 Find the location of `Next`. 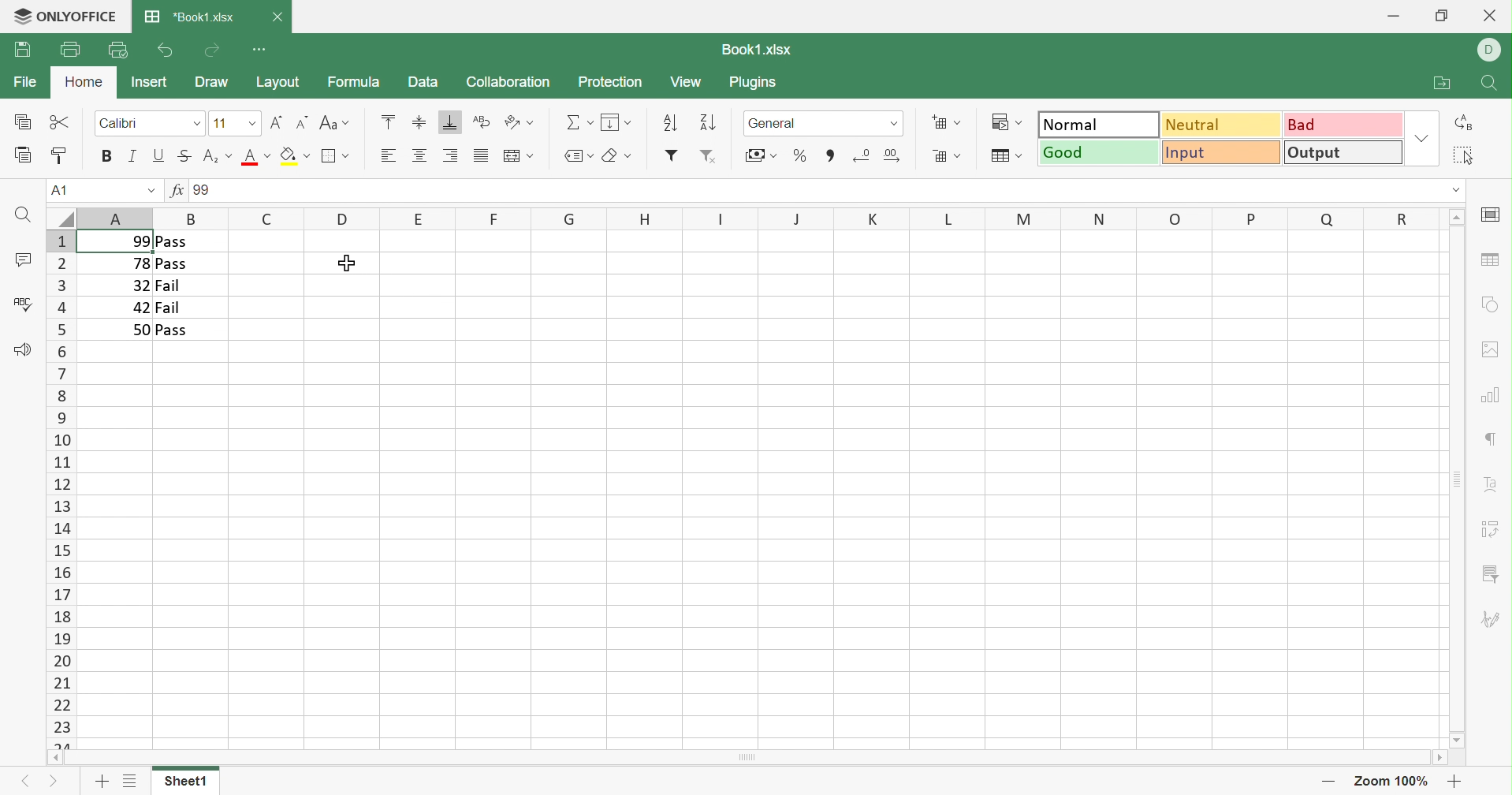

Next is located at coordinates (57, 785).